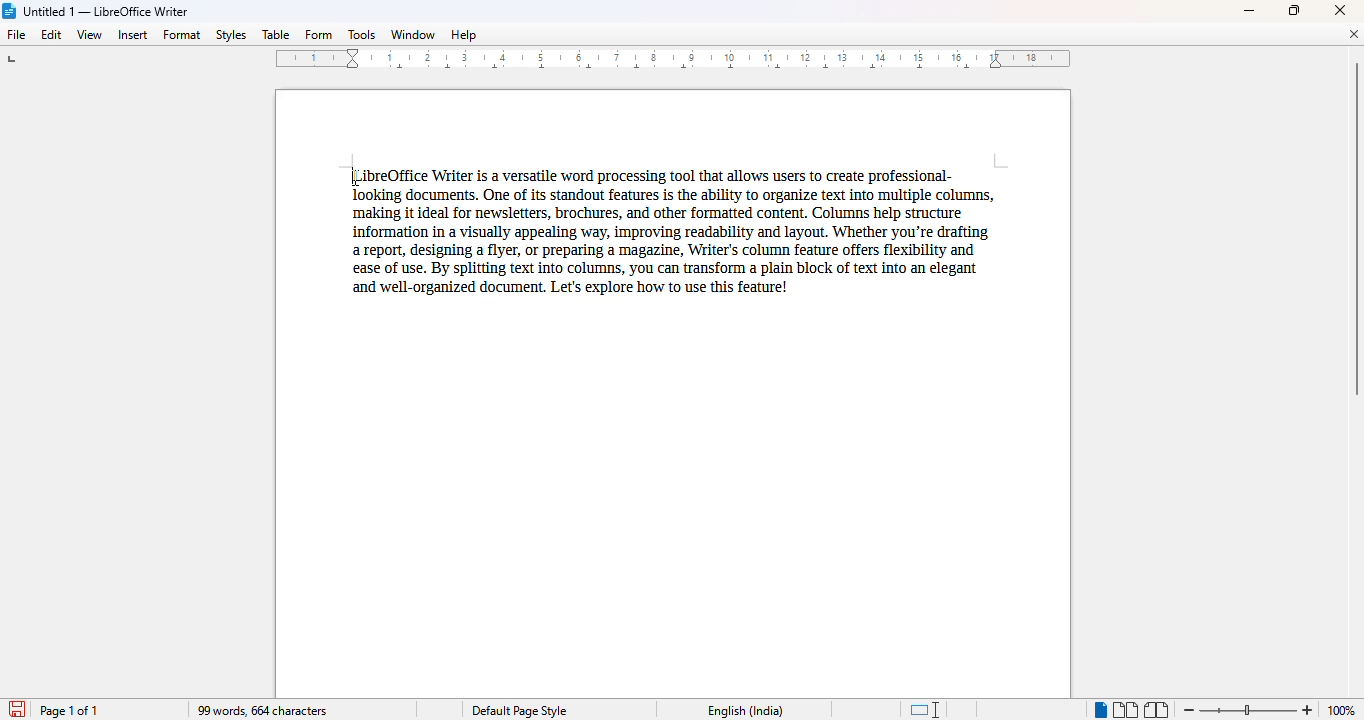 This screenshot has width=1364, height=720. Describe the element at coordinates (413, 34) in the screenshot. I see `window` at that location.